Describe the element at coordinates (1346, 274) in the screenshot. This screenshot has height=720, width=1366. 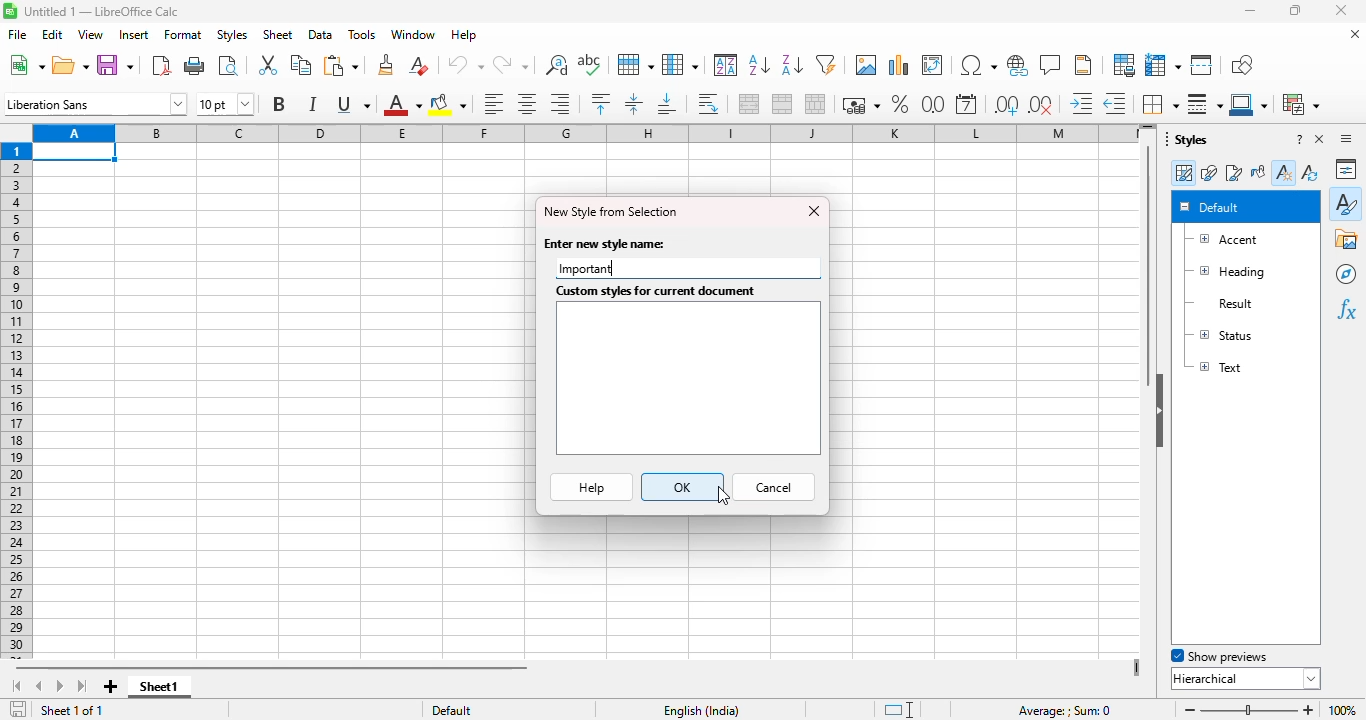
I see `navigator` at that location.